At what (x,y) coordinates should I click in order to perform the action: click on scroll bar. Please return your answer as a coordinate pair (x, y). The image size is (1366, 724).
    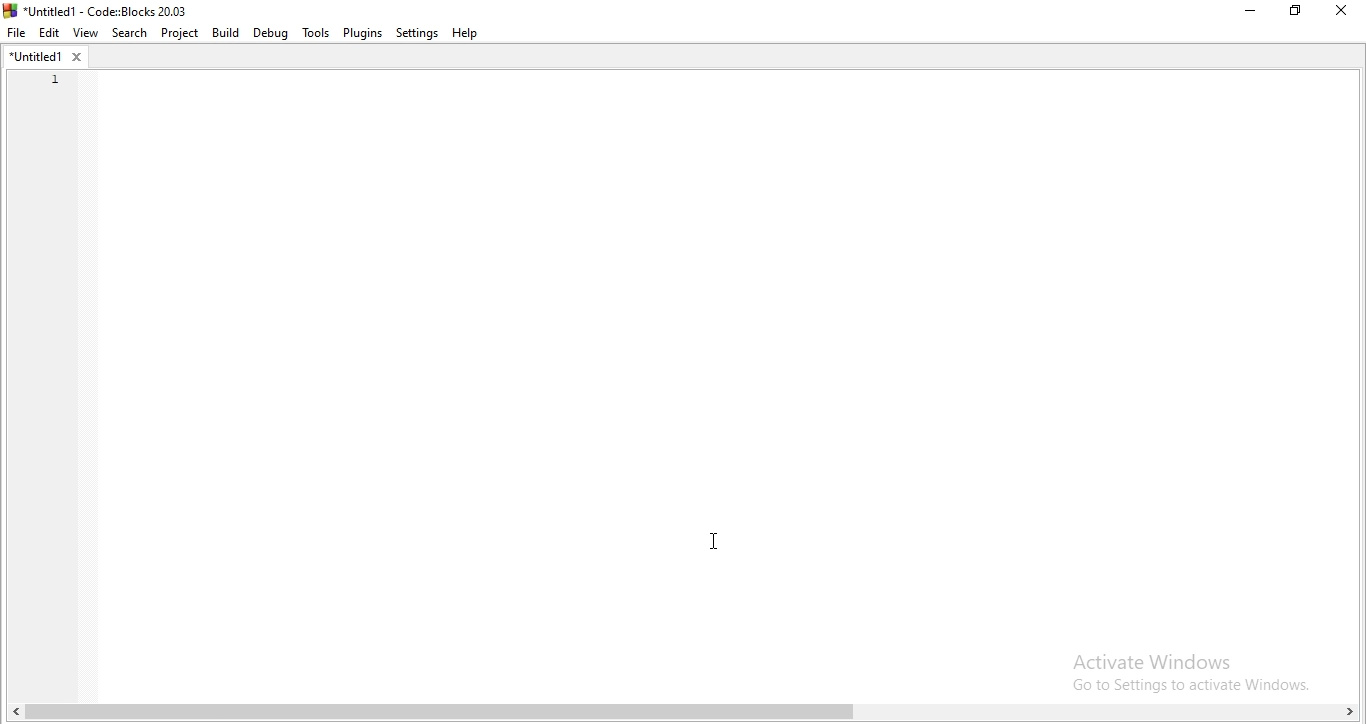
    Looking at the image, I should click on (683, 713).